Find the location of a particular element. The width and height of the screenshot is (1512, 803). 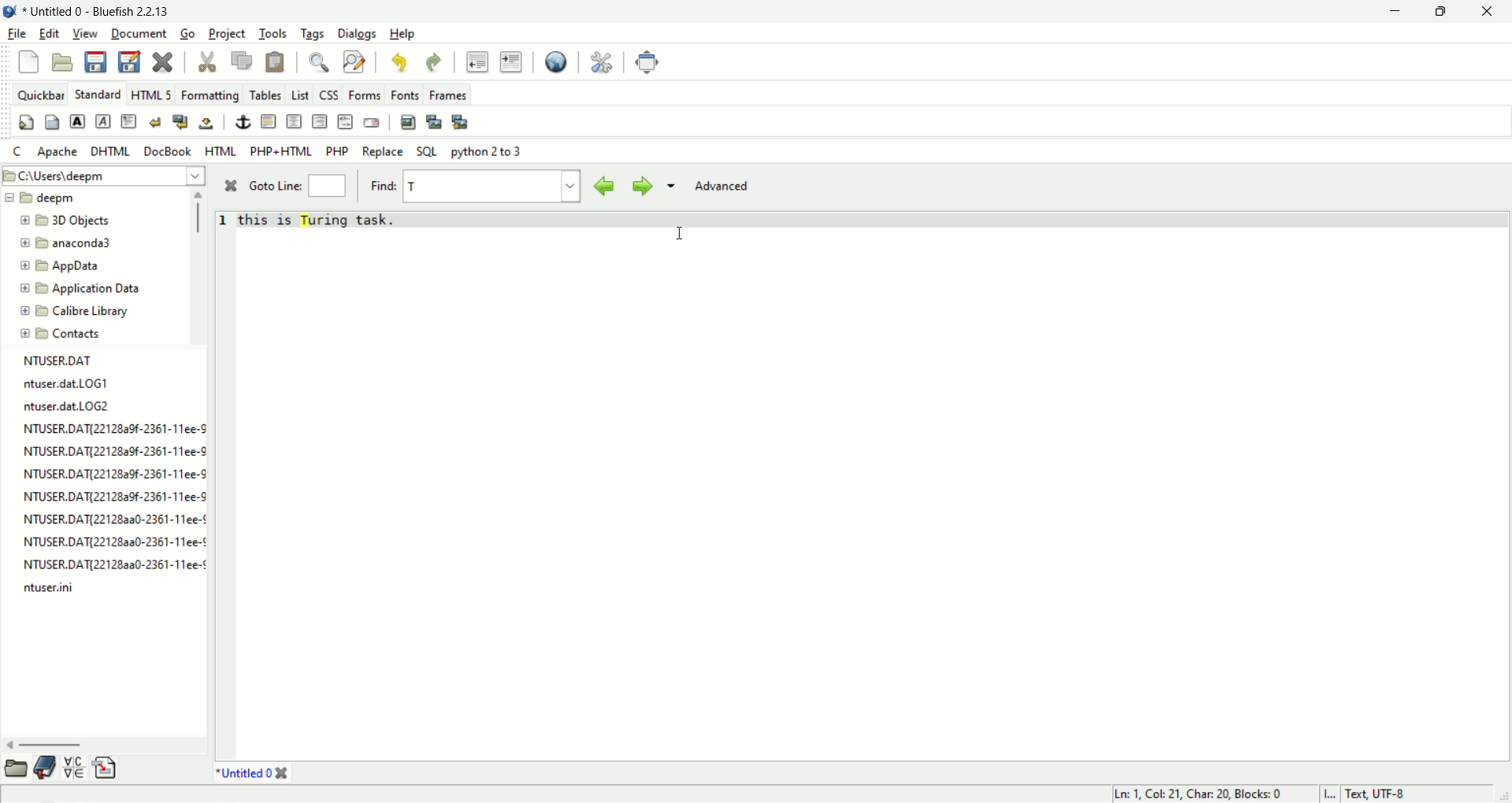

find: is located at coordinates (384, 184).